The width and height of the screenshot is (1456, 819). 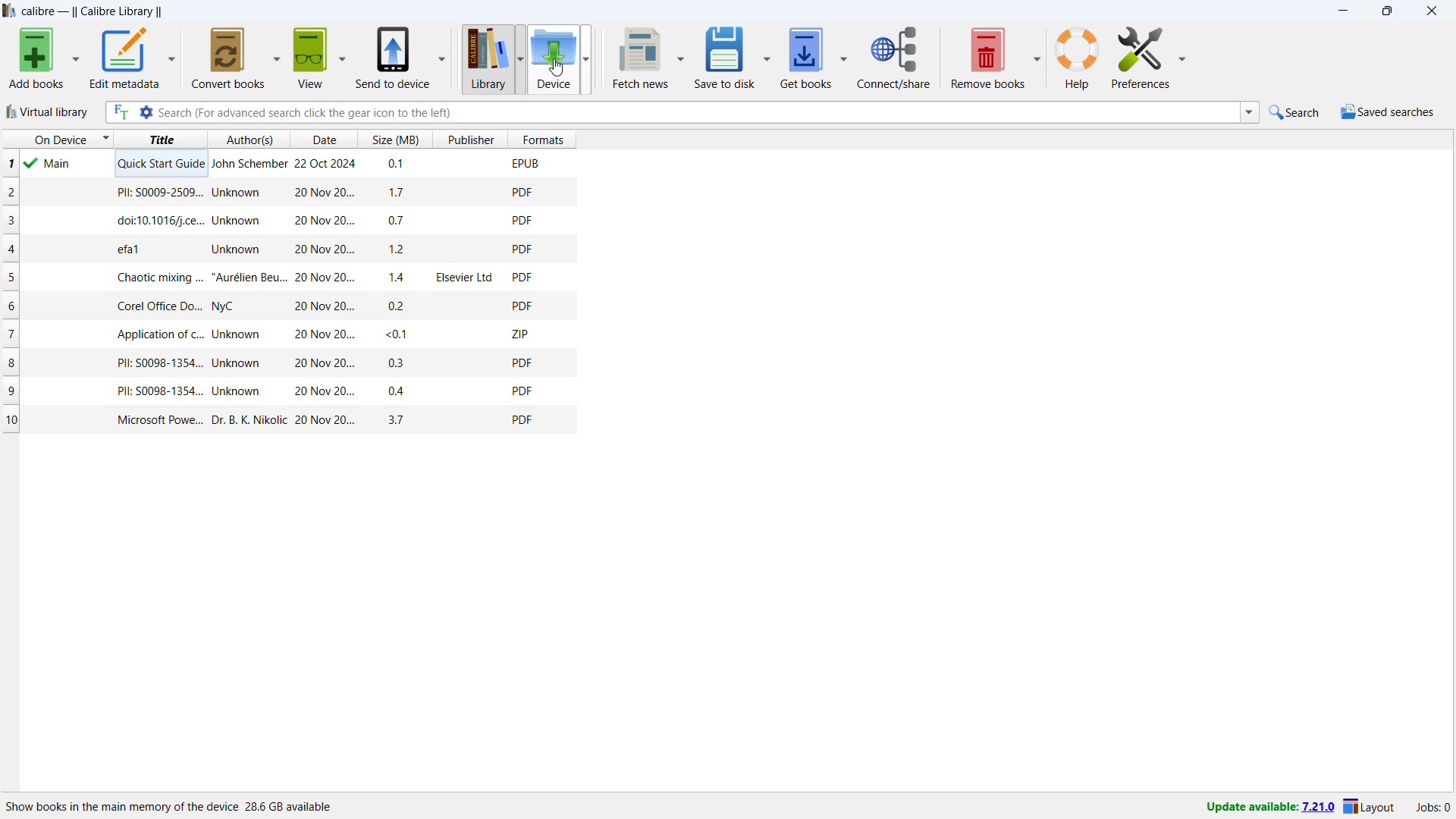 I want to click on sort by date, so click(x=322, y=139).